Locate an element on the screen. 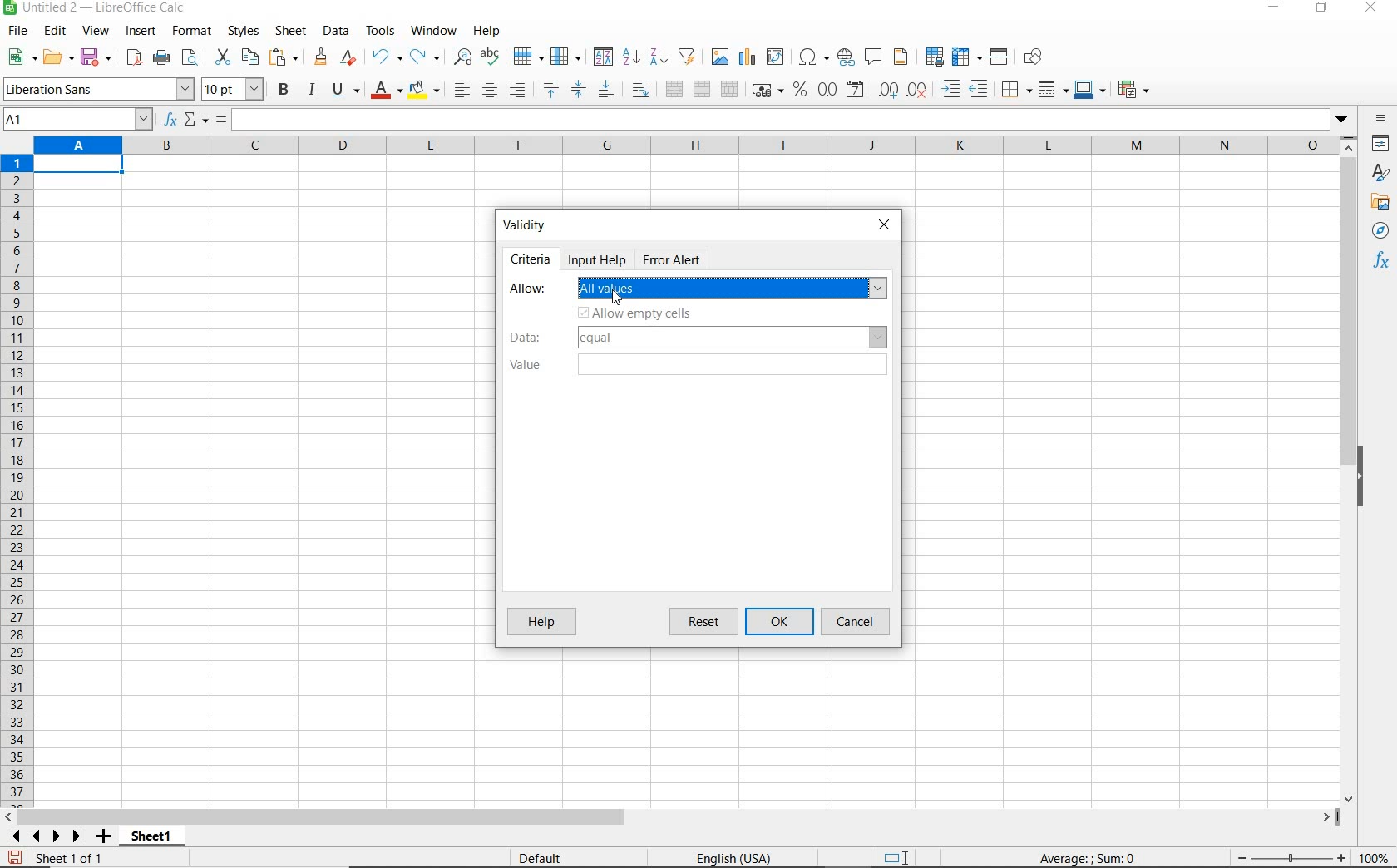 This screenshot has height=868, width=1397. sheet1 is located at coordinates (151, 839).